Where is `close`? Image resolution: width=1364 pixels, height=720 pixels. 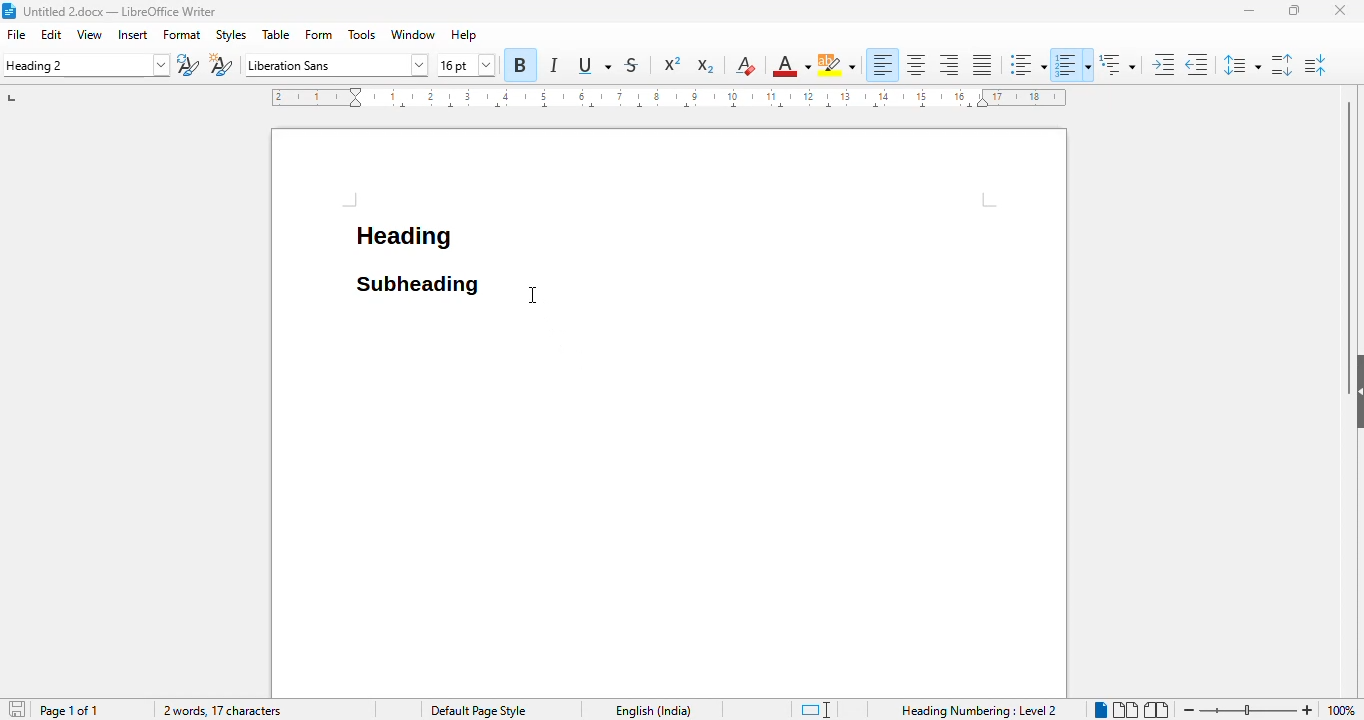 close is located at coordinates (1341, 11).